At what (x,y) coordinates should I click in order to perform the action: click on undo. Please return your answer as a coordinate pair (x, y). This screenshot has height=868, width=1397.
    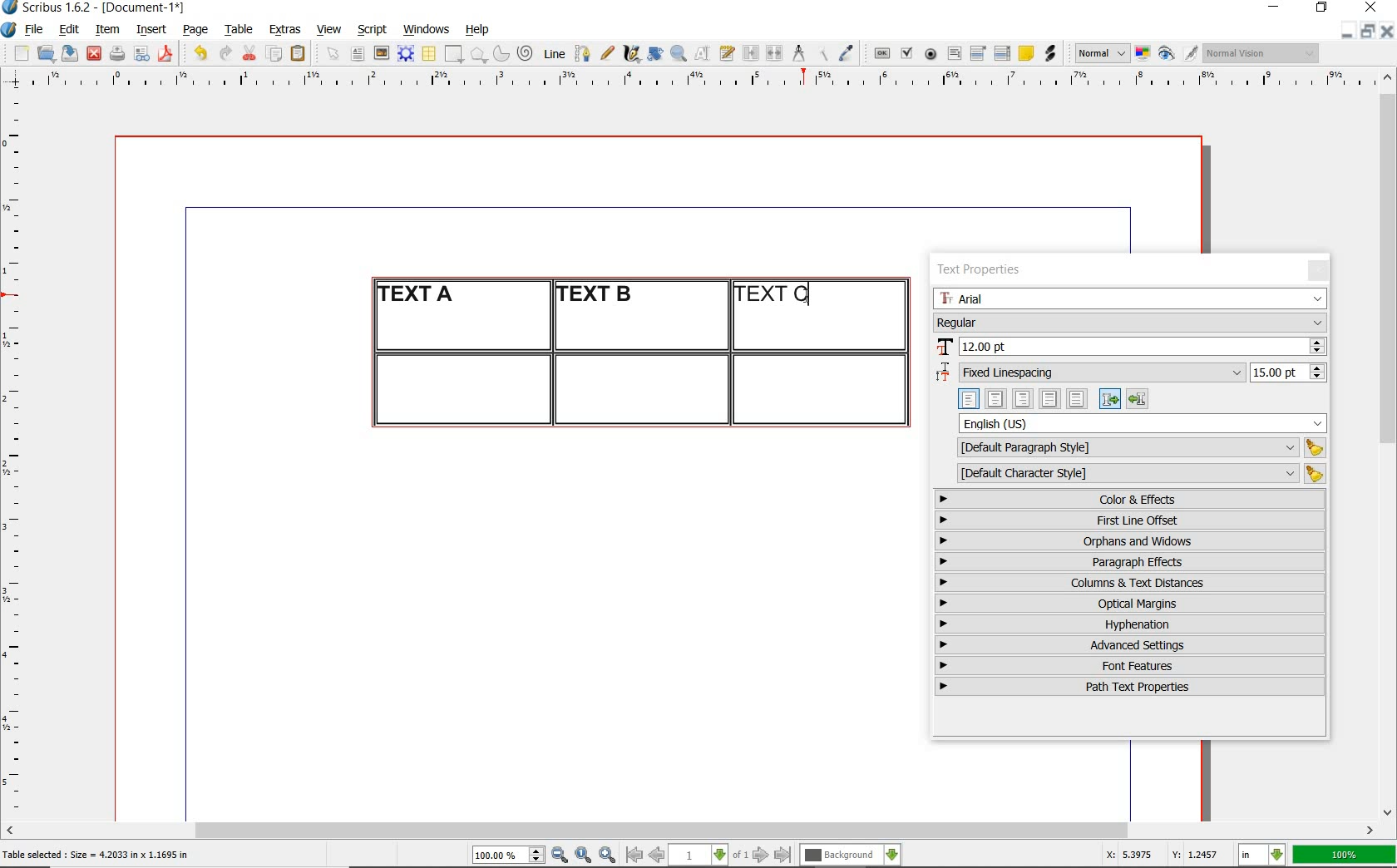
    Looking at the image, I should click on (200, 53).